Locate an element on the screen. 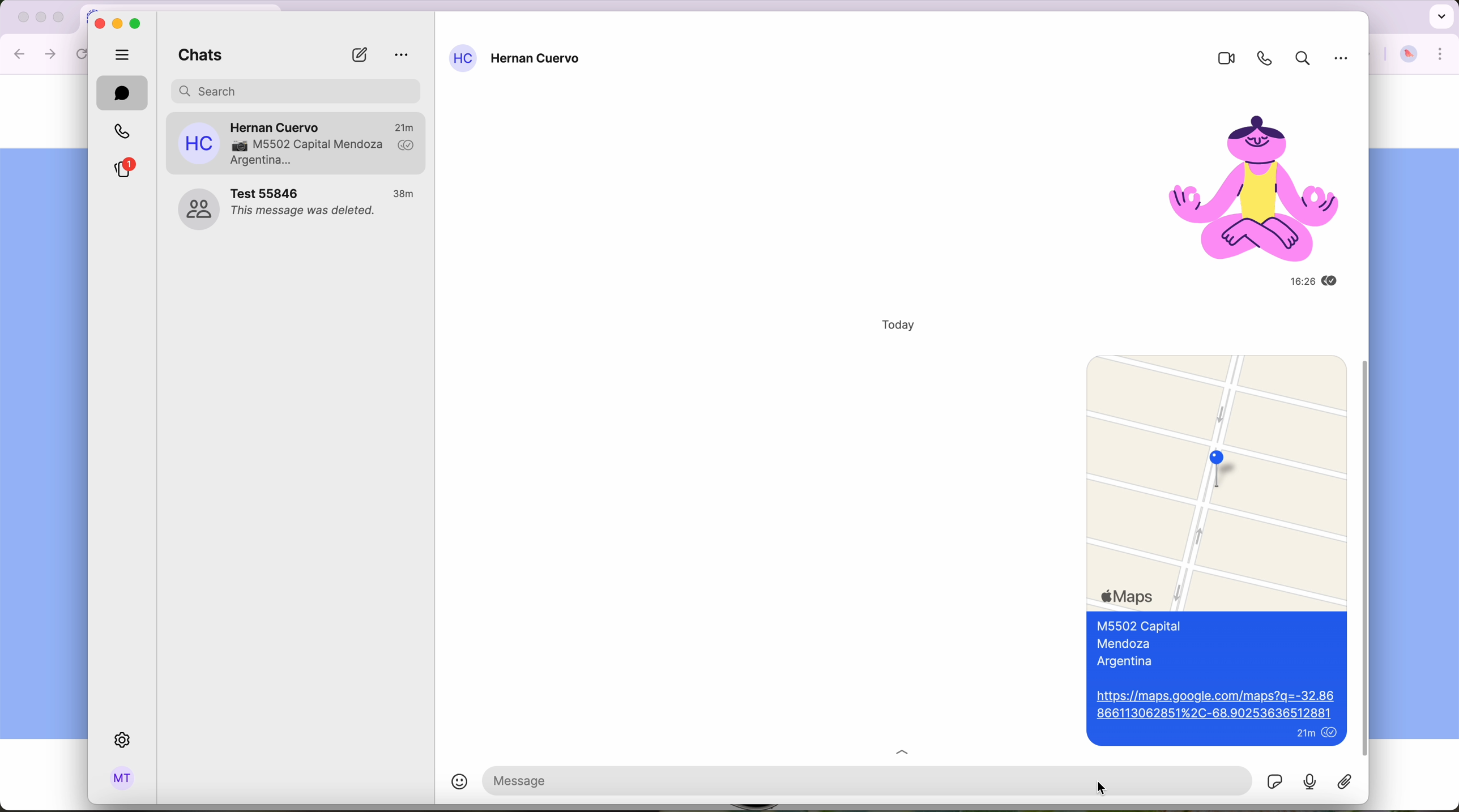 This screenshot has width=1459, height=812. video call is located at coordinates (1221, 59).